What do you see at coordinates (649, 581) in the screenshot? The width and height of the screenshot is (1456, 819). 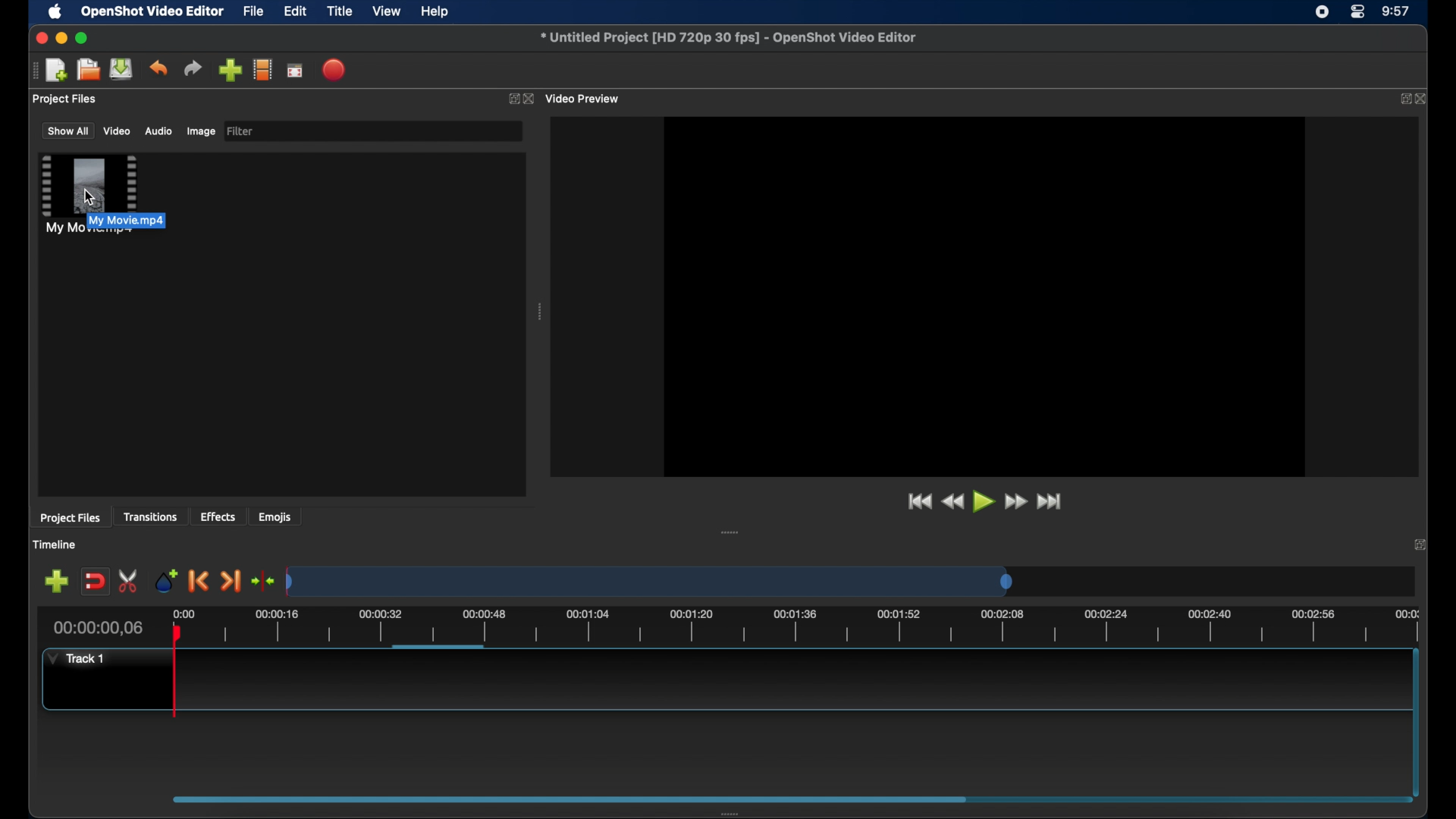 I see `timeline scale` at bounding box center [649, 581].